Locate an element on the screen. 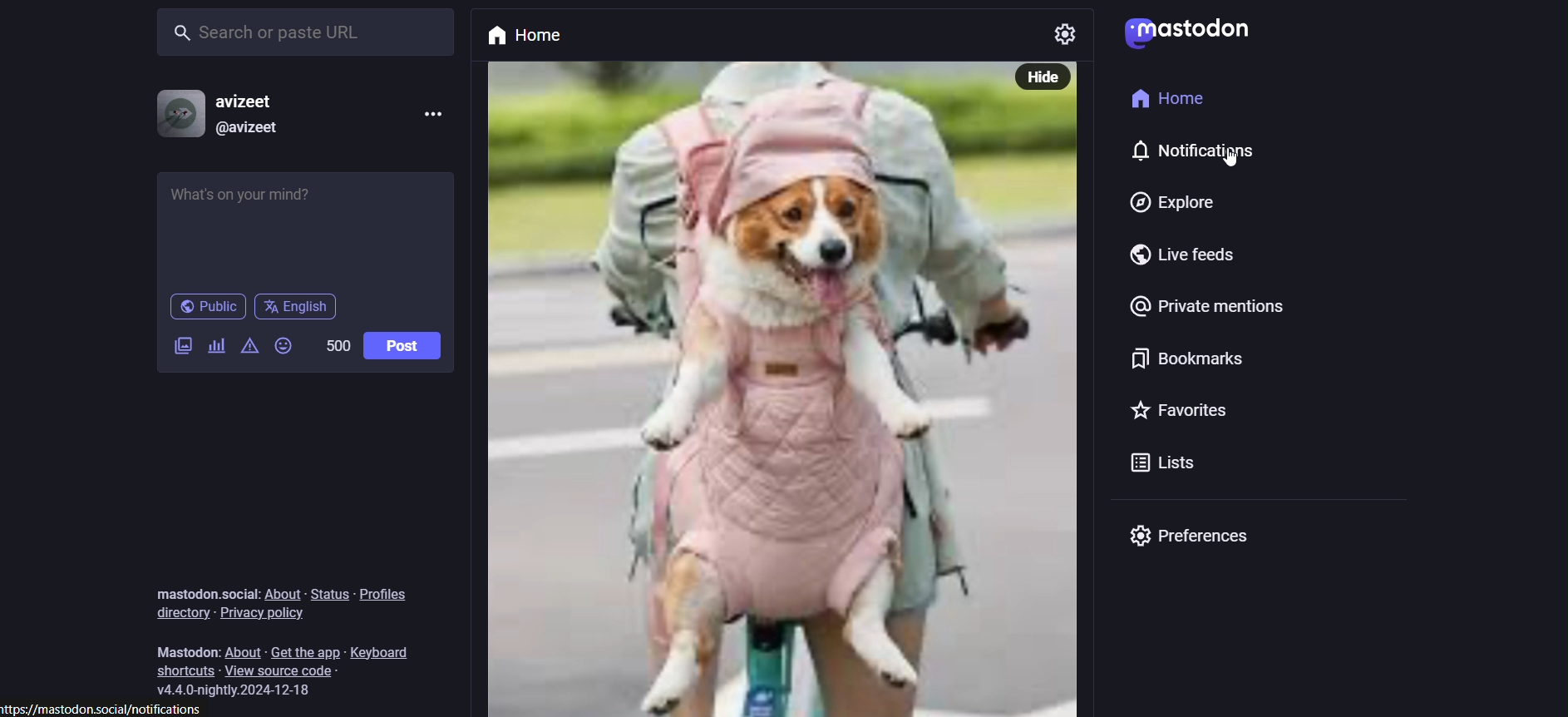 This screenshot has width=1568, height=717. post is located at coordinates (405, 345).